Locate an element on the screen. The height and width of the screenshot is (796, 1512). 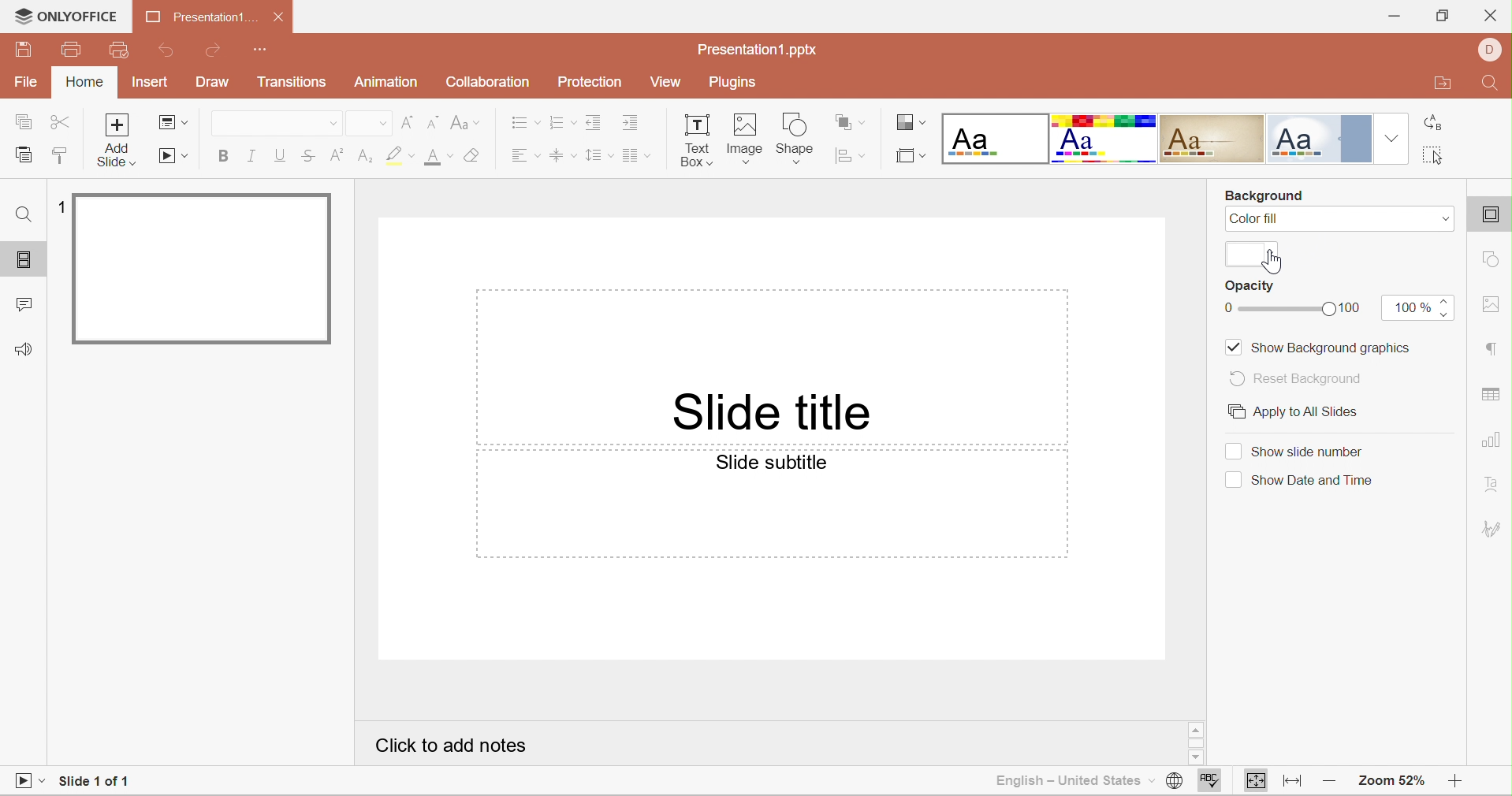
add slide with theme is located at coordinates (117, 154).